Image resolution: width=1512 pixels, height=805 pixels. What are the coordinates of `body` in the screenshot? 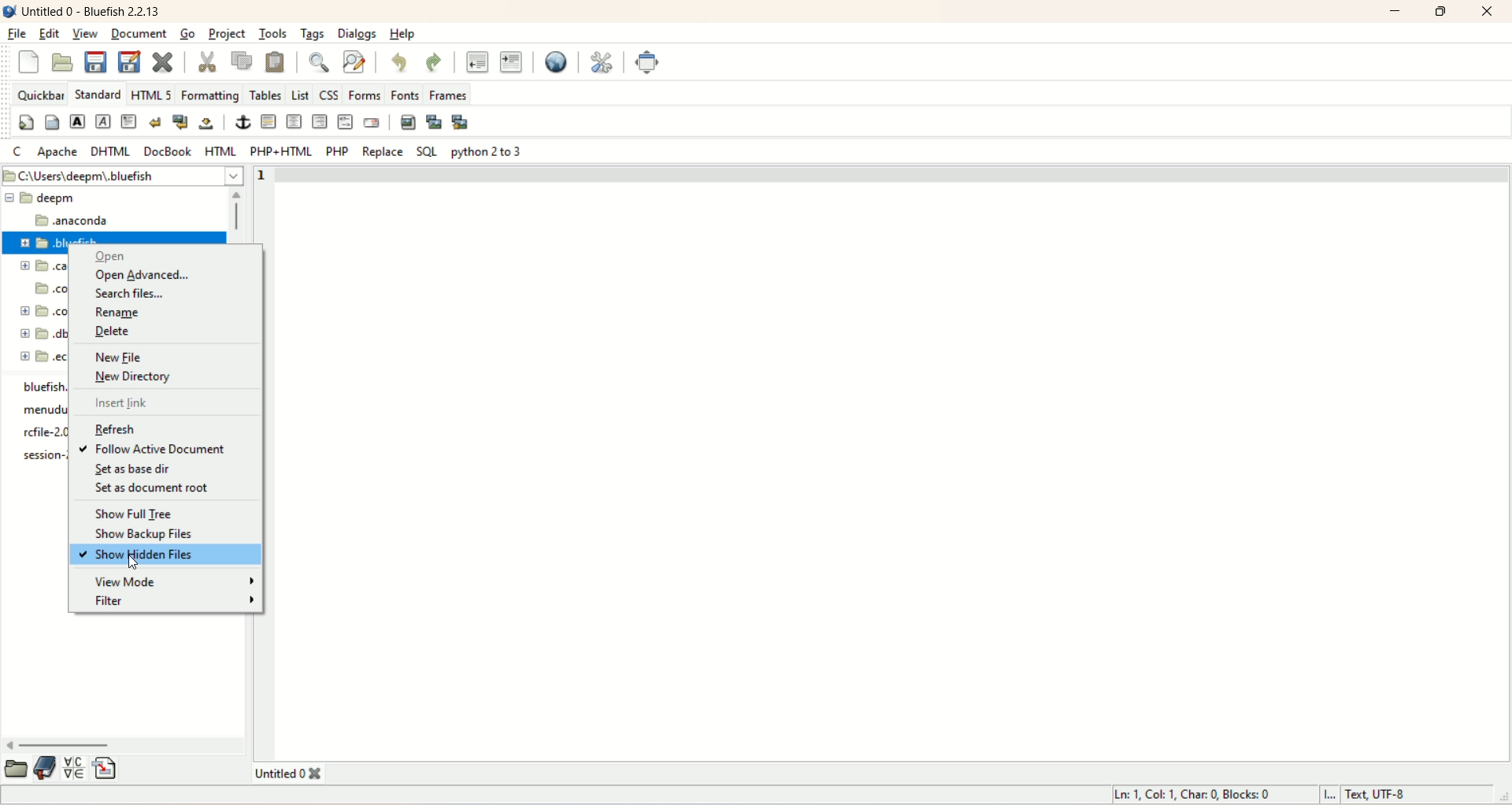 It's located at (51, 120).